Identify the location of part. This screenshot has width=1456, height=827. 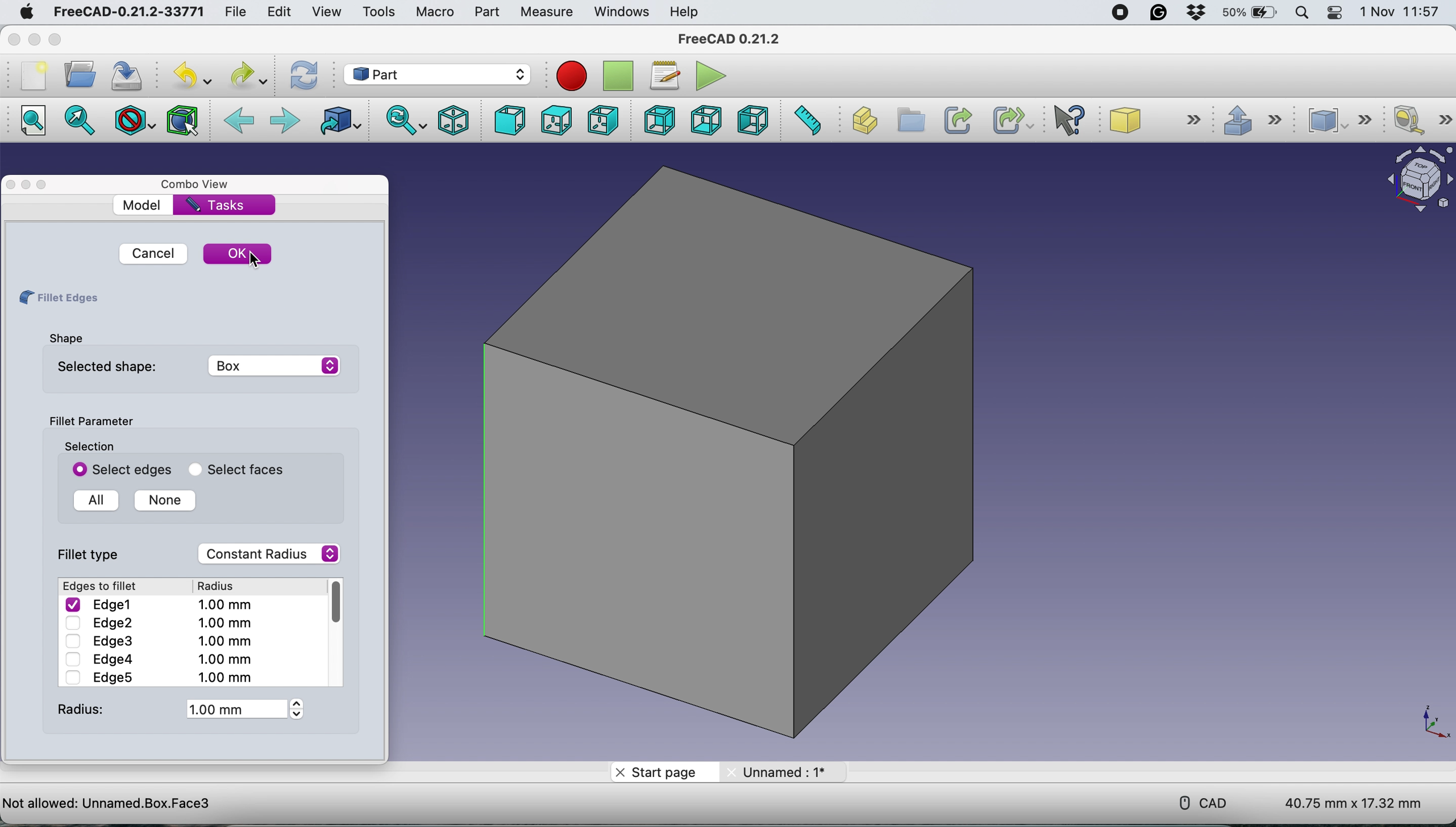
(486, 11).